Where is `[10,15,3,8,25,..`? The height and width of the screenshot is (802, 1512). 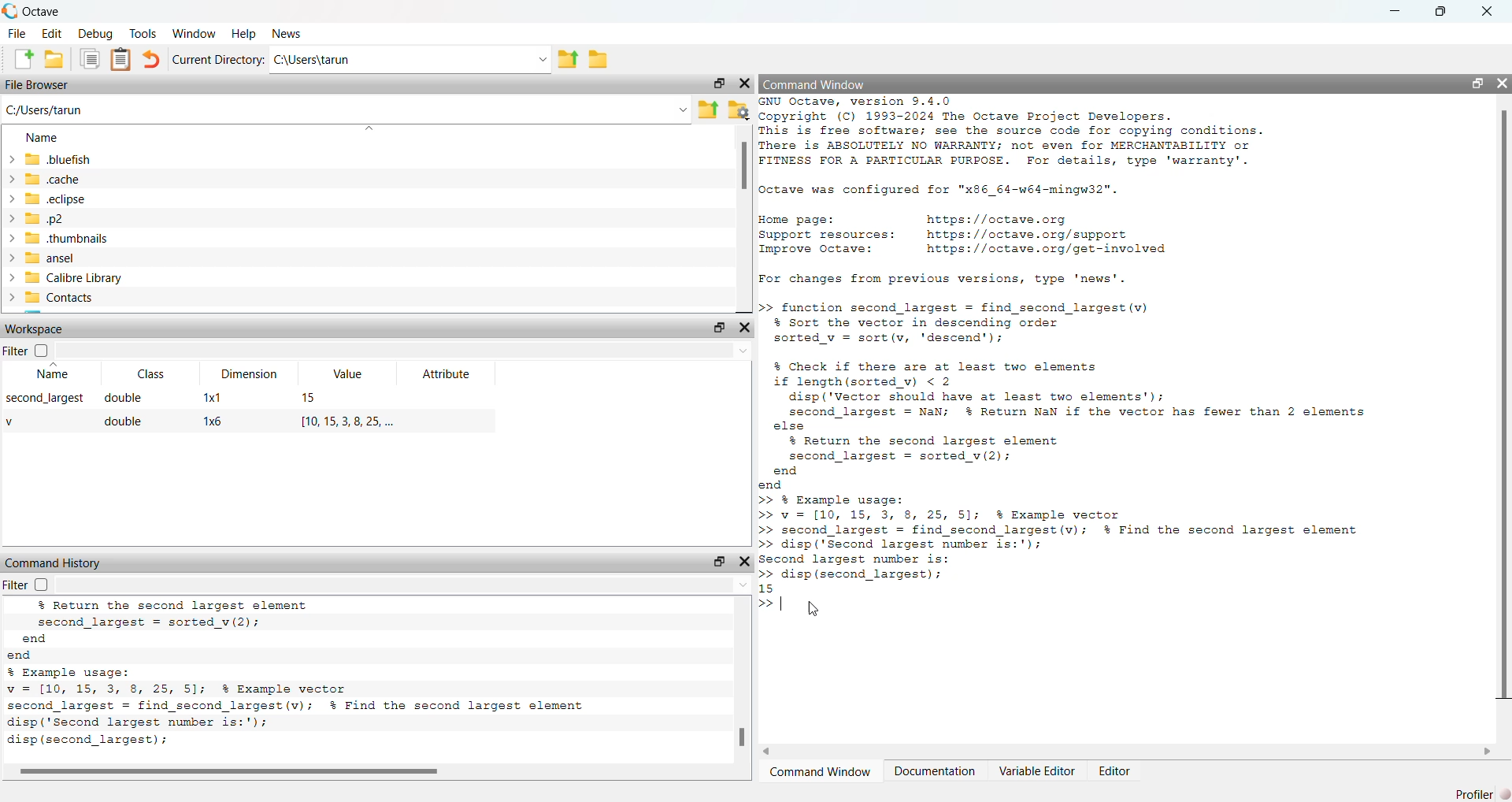
[10,15,3,8,25,.. is located at coordinates (348, 419).